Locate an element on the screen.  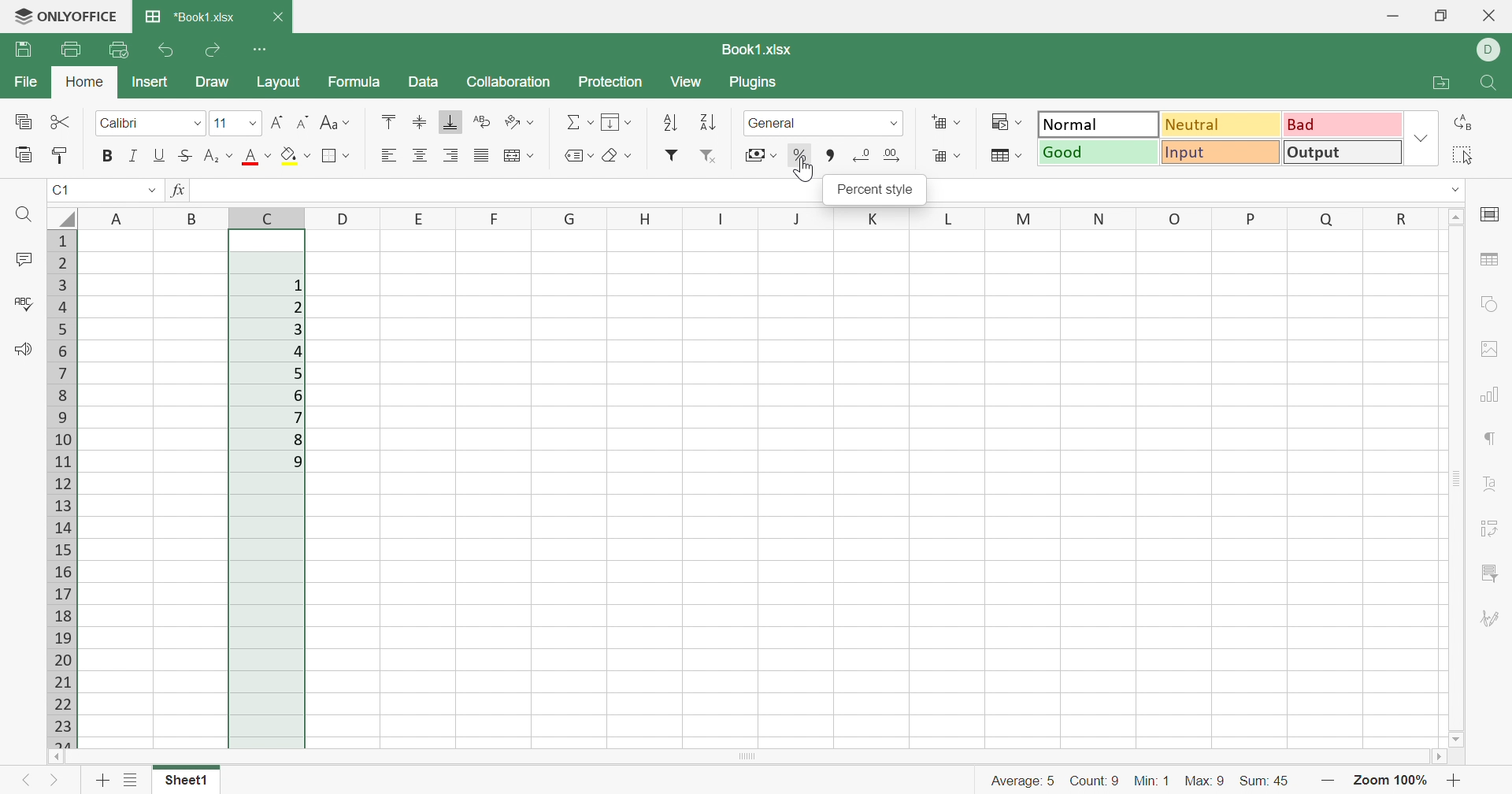
Strikethrough is located at coordinates (183, 155).